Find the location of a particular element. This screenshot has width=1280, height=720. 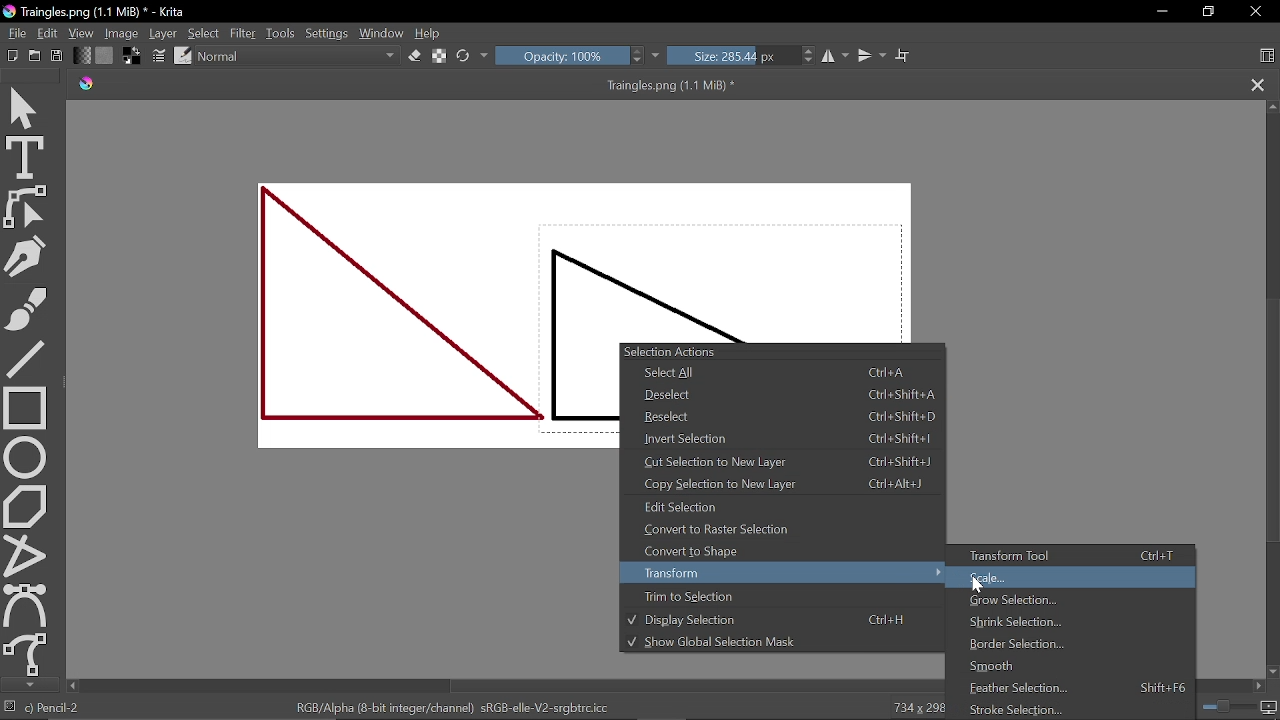

Save is located at coordinates (58, 56).